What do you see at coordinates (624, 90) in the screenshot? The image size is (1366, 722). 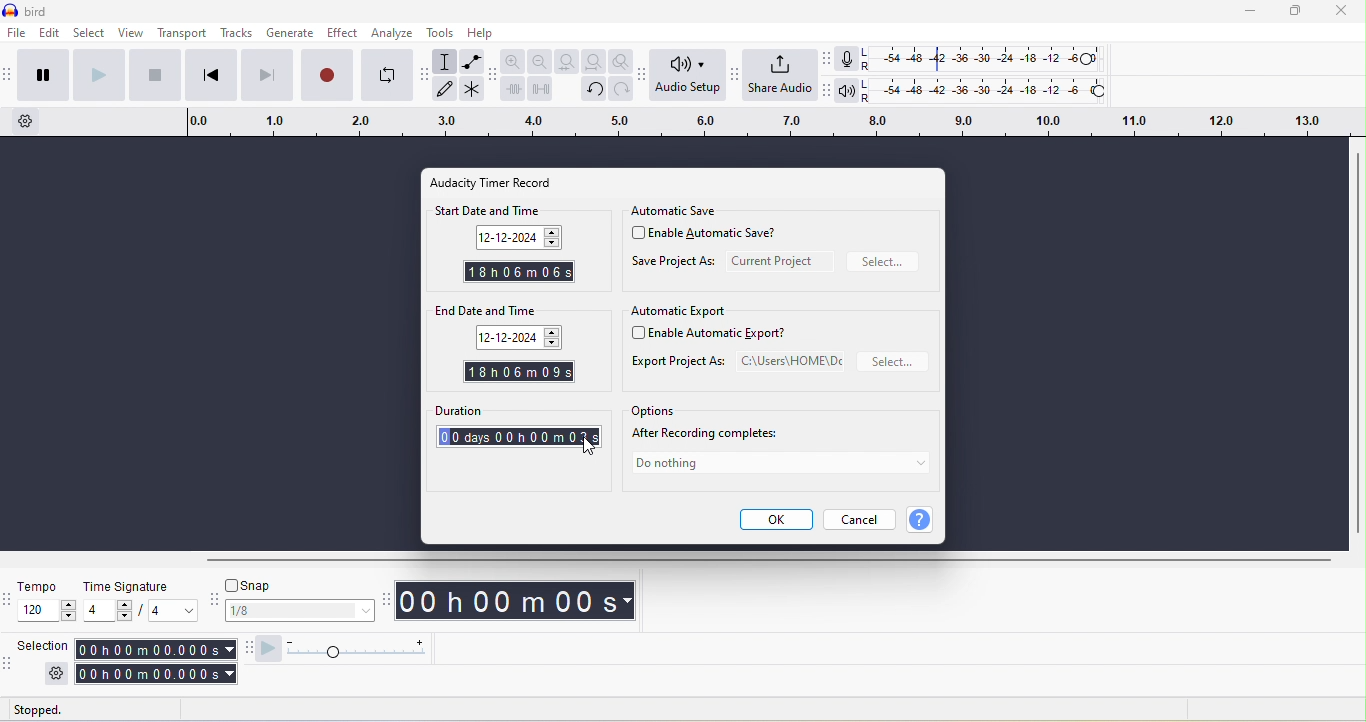 I see `redo` at bounding box center [624, 90].